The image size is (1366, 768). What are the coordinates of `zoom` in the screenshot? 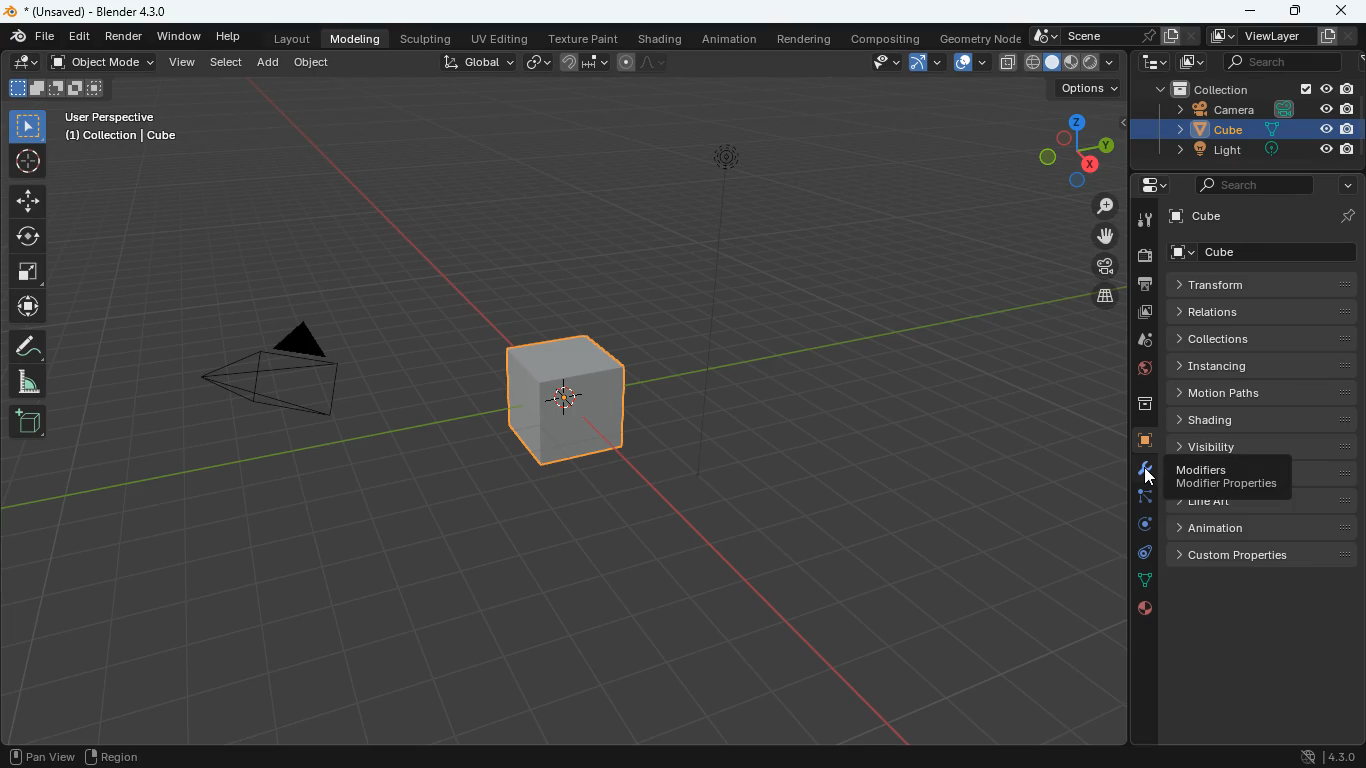 It's located at (1101, 207).